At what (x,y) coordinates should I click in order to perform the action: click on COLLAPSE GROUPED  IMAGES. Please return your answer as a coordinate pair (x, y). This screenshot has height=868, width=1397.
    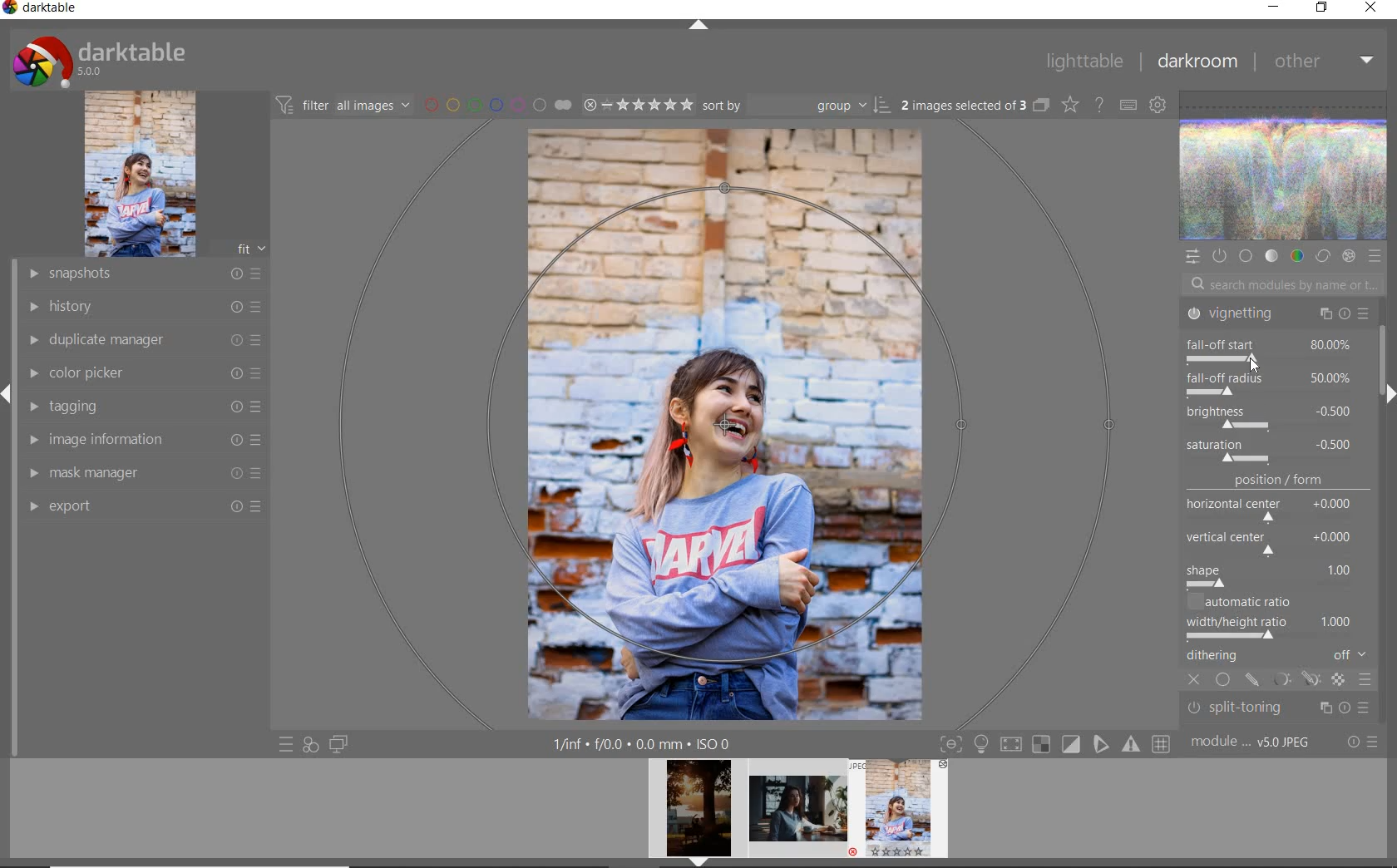
    Looking at the image, I should click on (1041, 104).